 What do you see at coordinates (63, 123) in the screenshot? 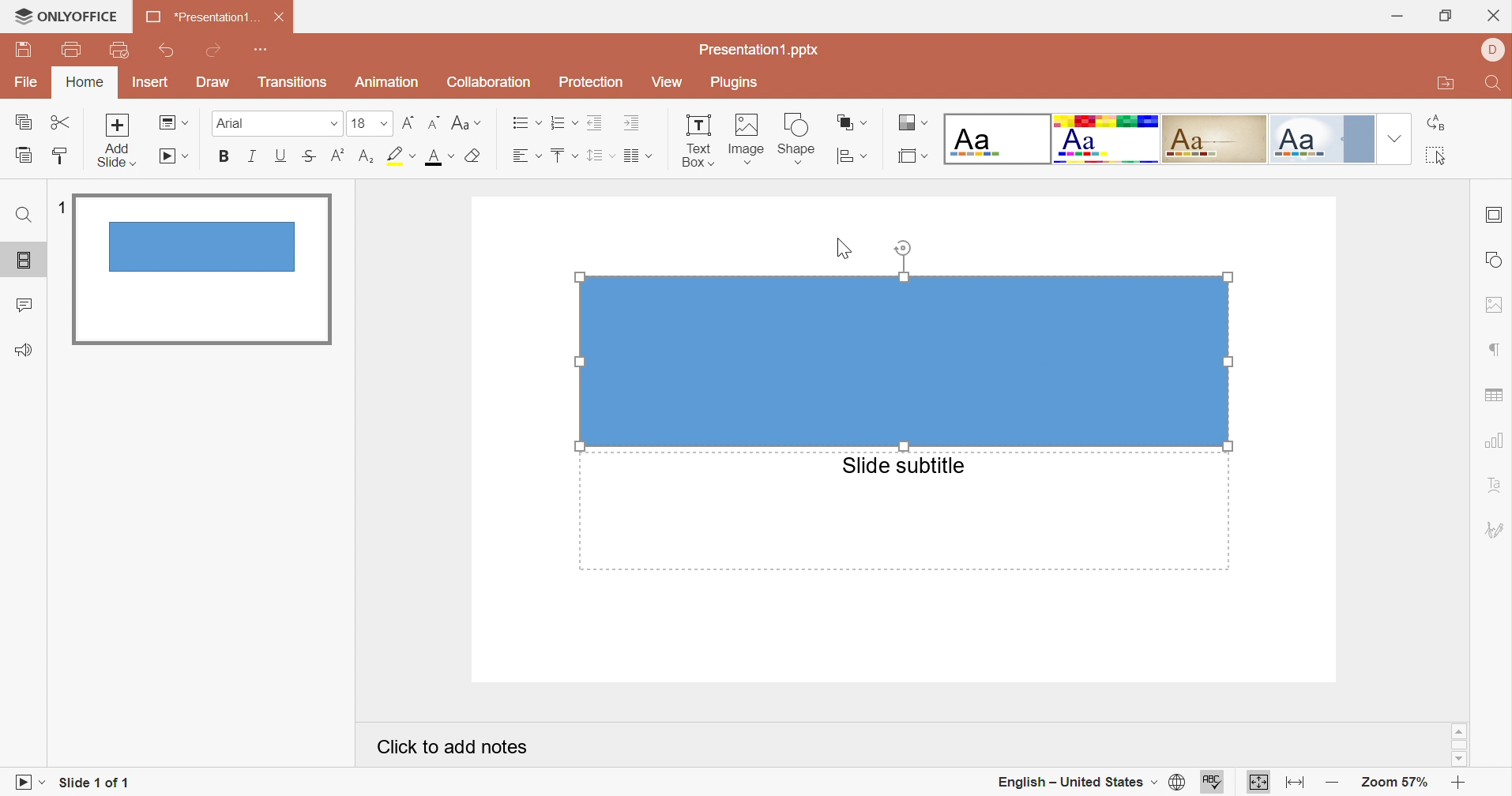
I see `Cut` at bounding box center [63, 123].